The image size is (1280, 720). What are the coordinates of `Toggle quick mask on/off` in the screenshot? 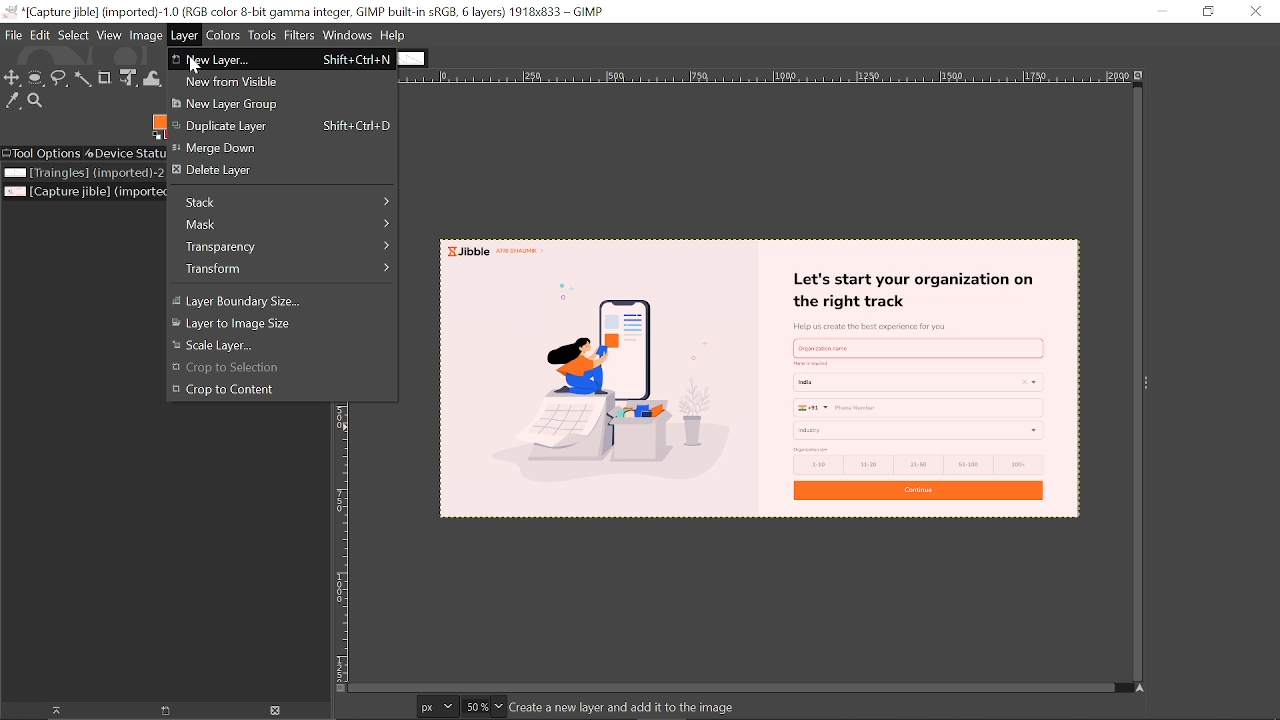 It's located at (339, 690).